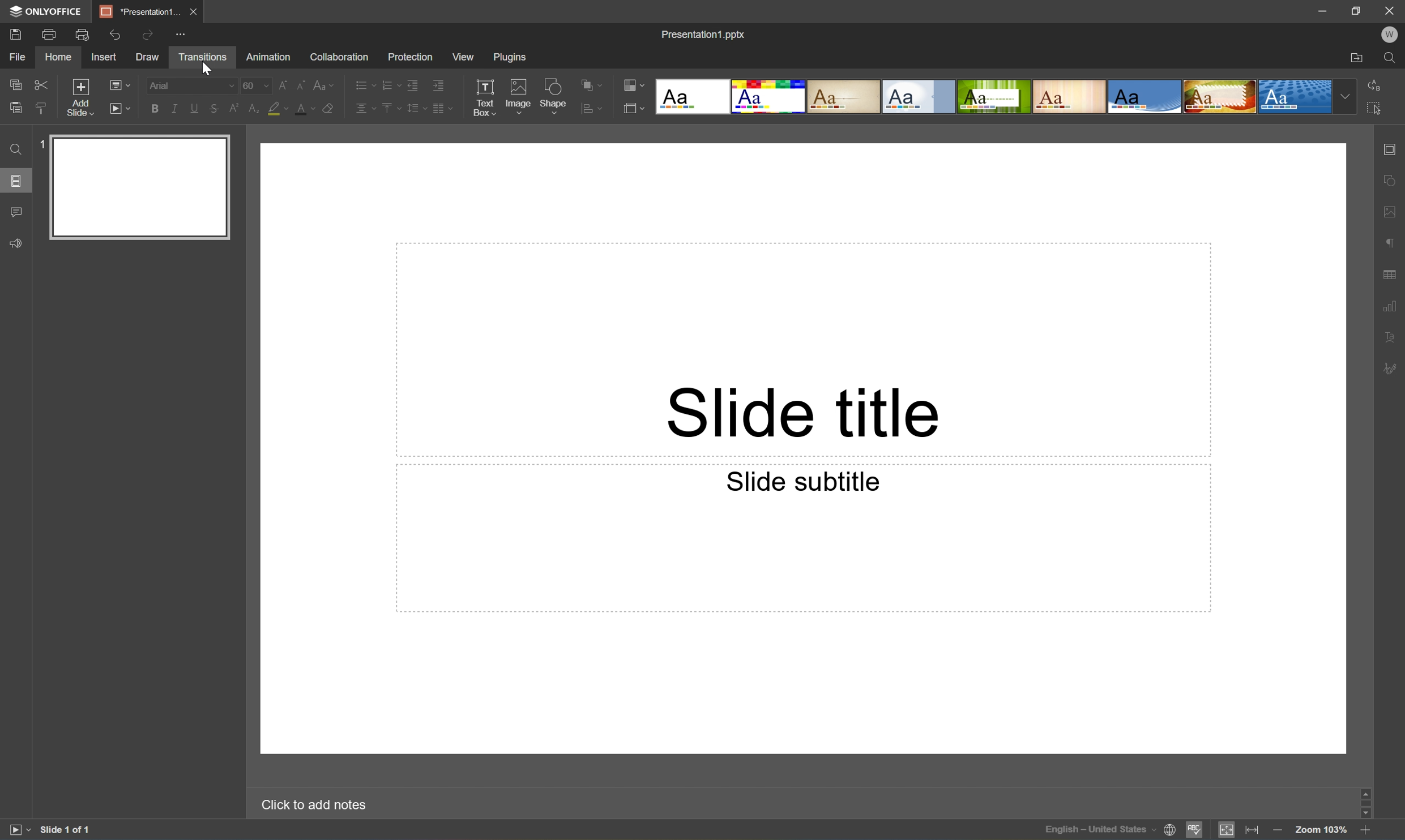 Image resolution: width=1405 pixels, height=840 pixels. What do you see at coordinates (363, 83) in the screenshot?
I see `Bullets` at bounding box center [363, 83].